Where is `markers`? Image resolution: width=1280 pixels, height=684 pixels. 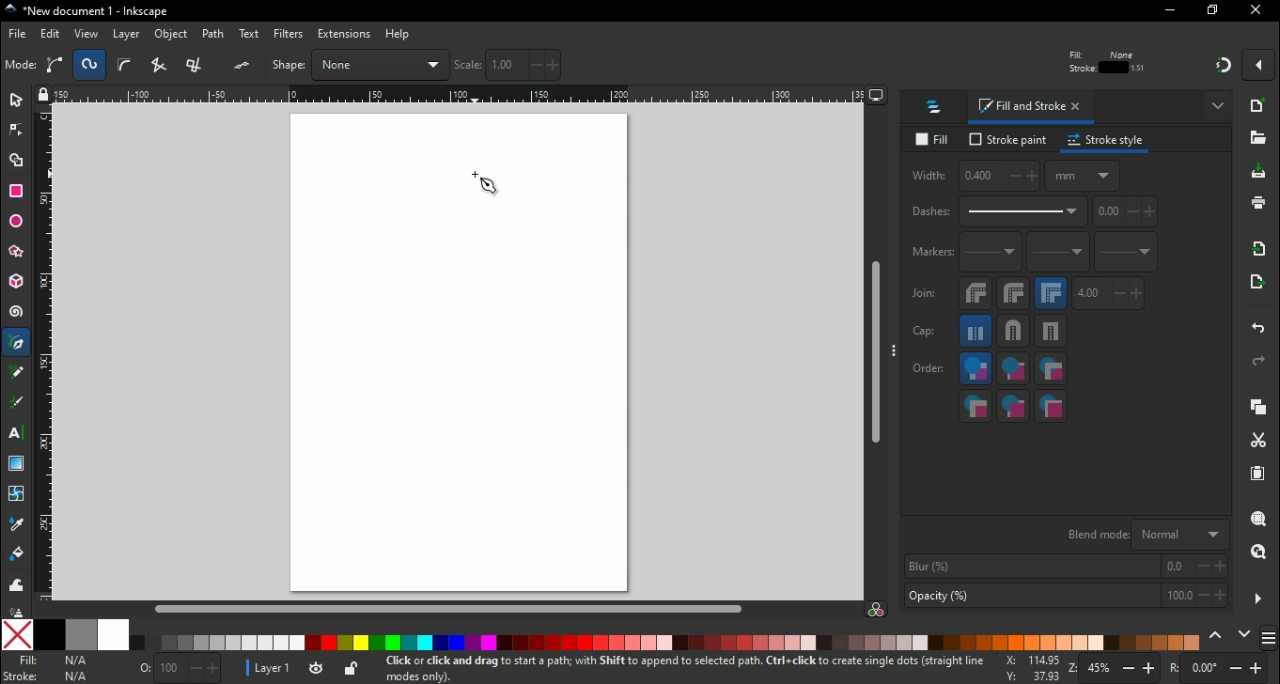 markers is located at coordinates (932, 256).